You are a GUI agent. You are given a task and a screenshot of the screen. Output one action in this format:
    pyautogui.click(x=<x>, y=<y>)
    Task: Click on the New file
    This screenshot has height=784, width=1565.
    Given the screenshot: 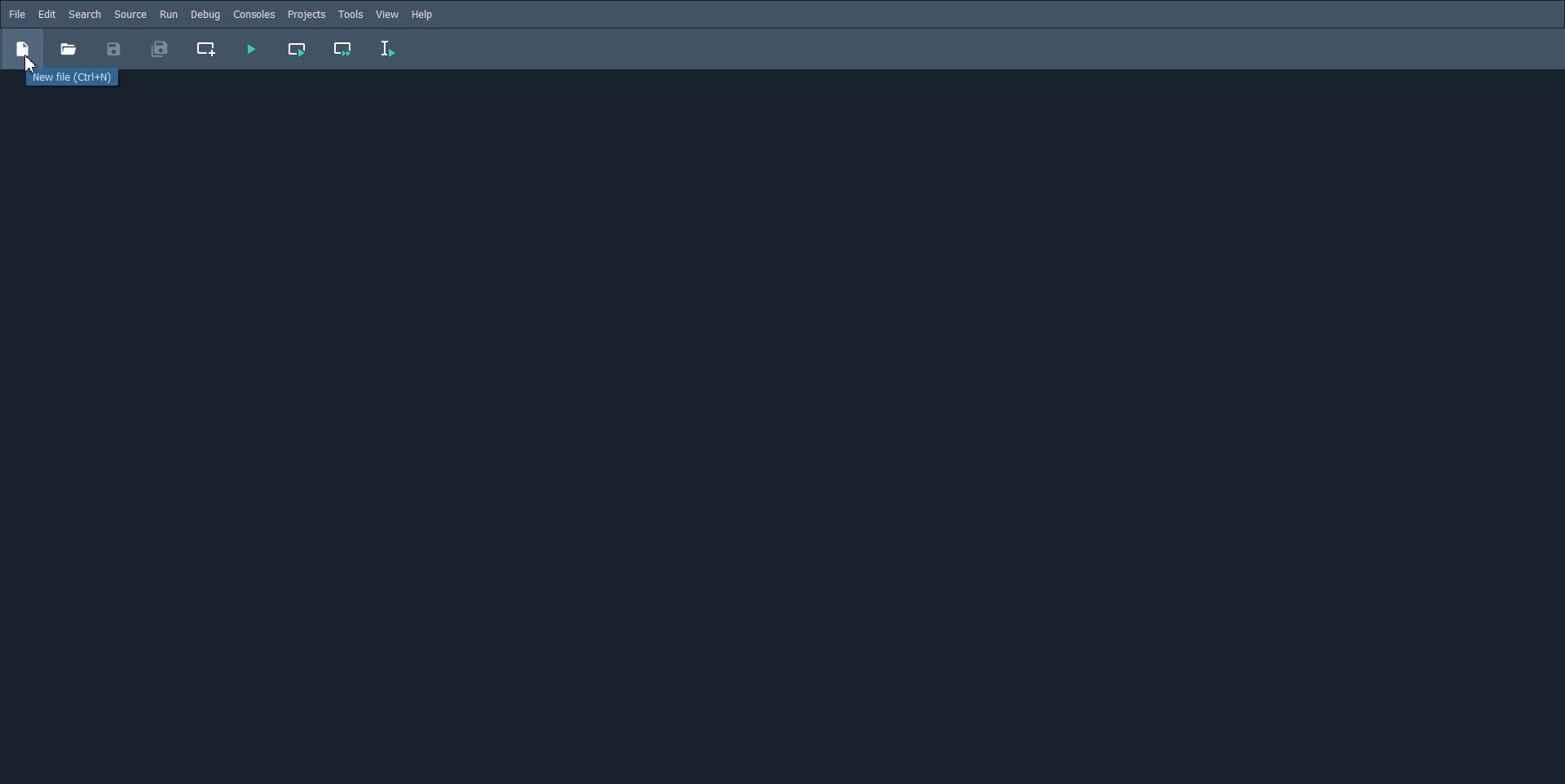 What is the action you would take?
    pyautogui.click(x=22, y=48)
    